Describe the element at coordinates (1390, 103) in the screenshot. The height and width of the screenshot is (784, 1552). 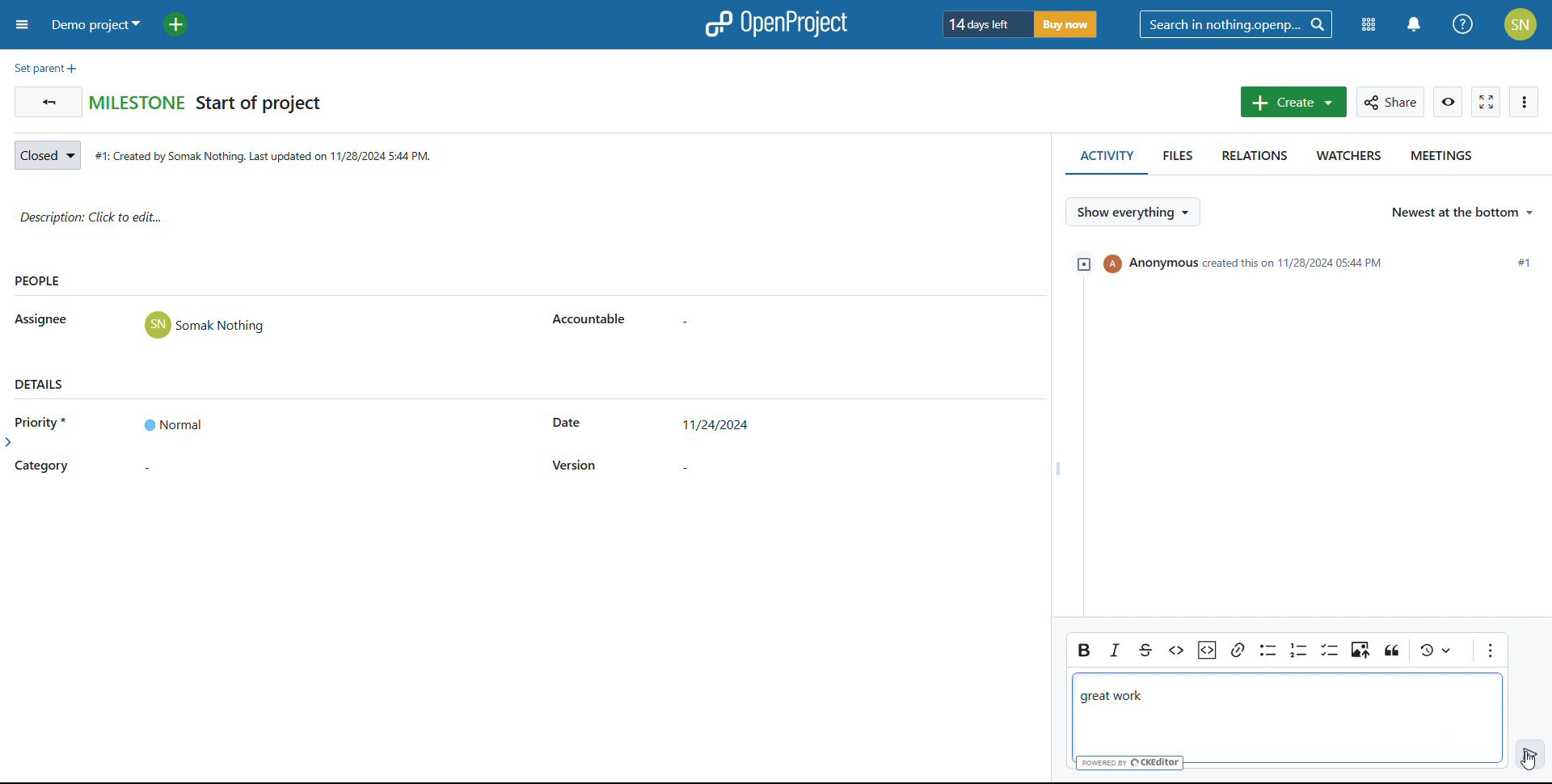
I see `share` at that location.